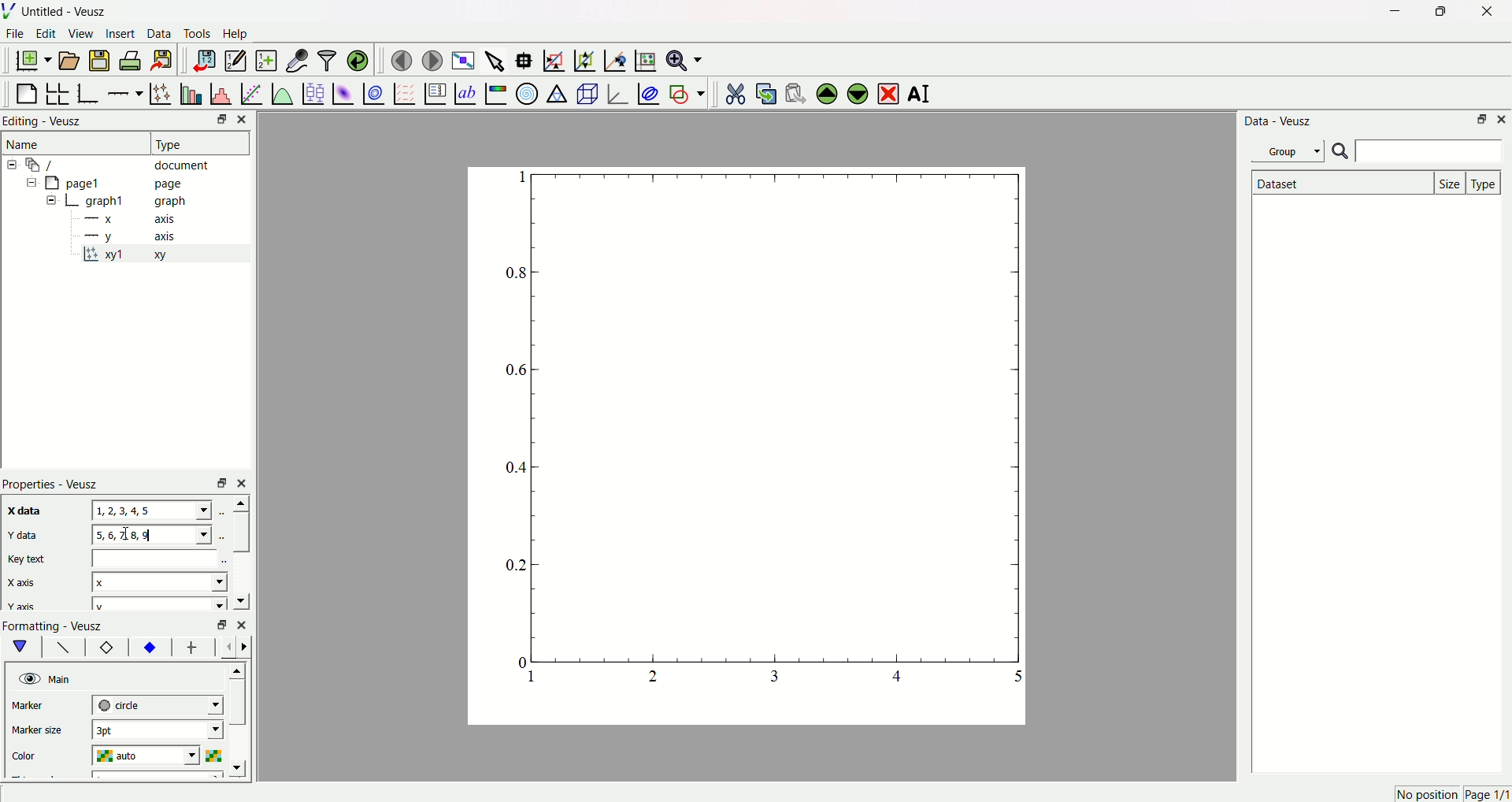 The width and height of the screenshot is (1512, 802). Describe the element at coordinates (198, 35) in the screenshot. I see `Tools` at that location.